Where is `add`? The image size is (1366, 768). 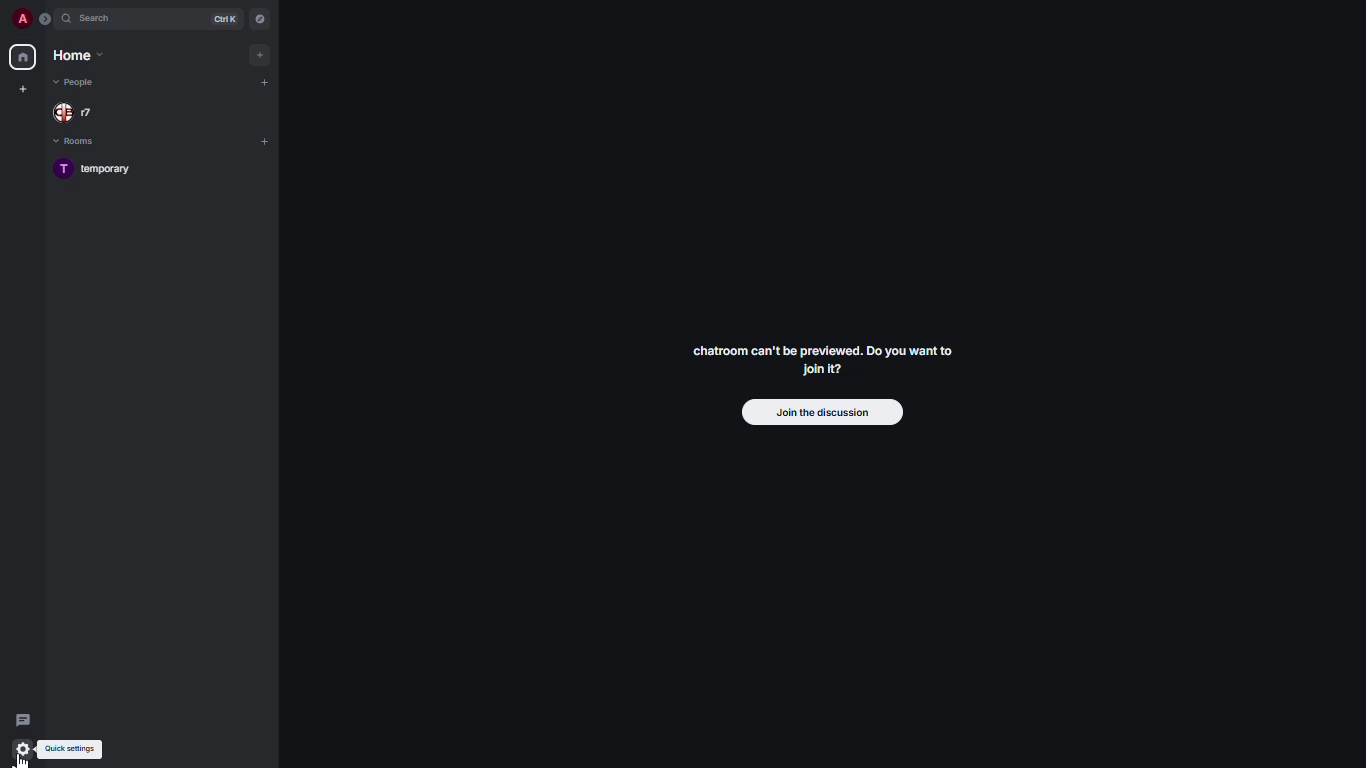
add is located at coordinates (266, 81).